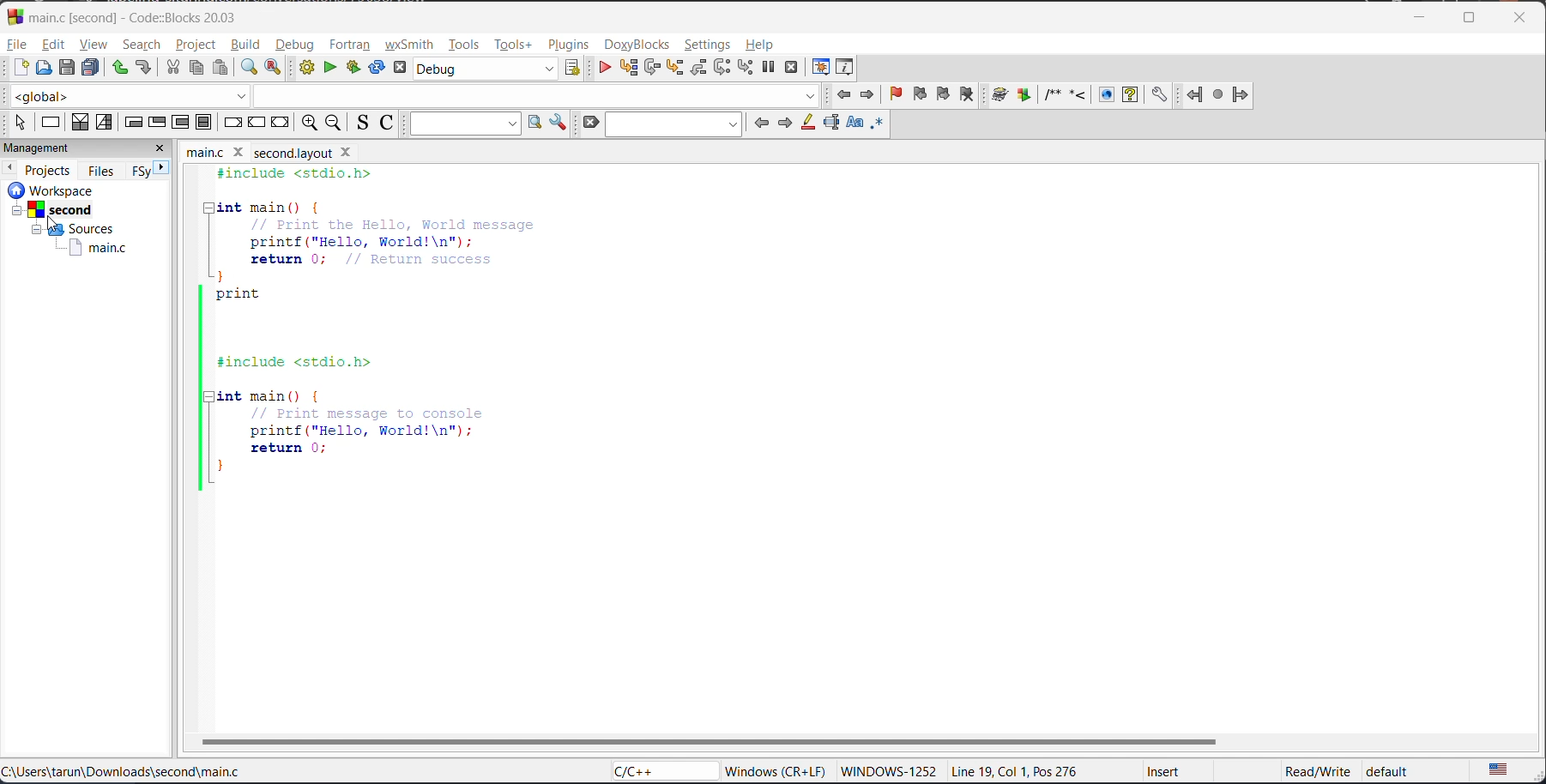  Describe the element at coordinates (42, 69) in the screenshot. I see `open` at that location.